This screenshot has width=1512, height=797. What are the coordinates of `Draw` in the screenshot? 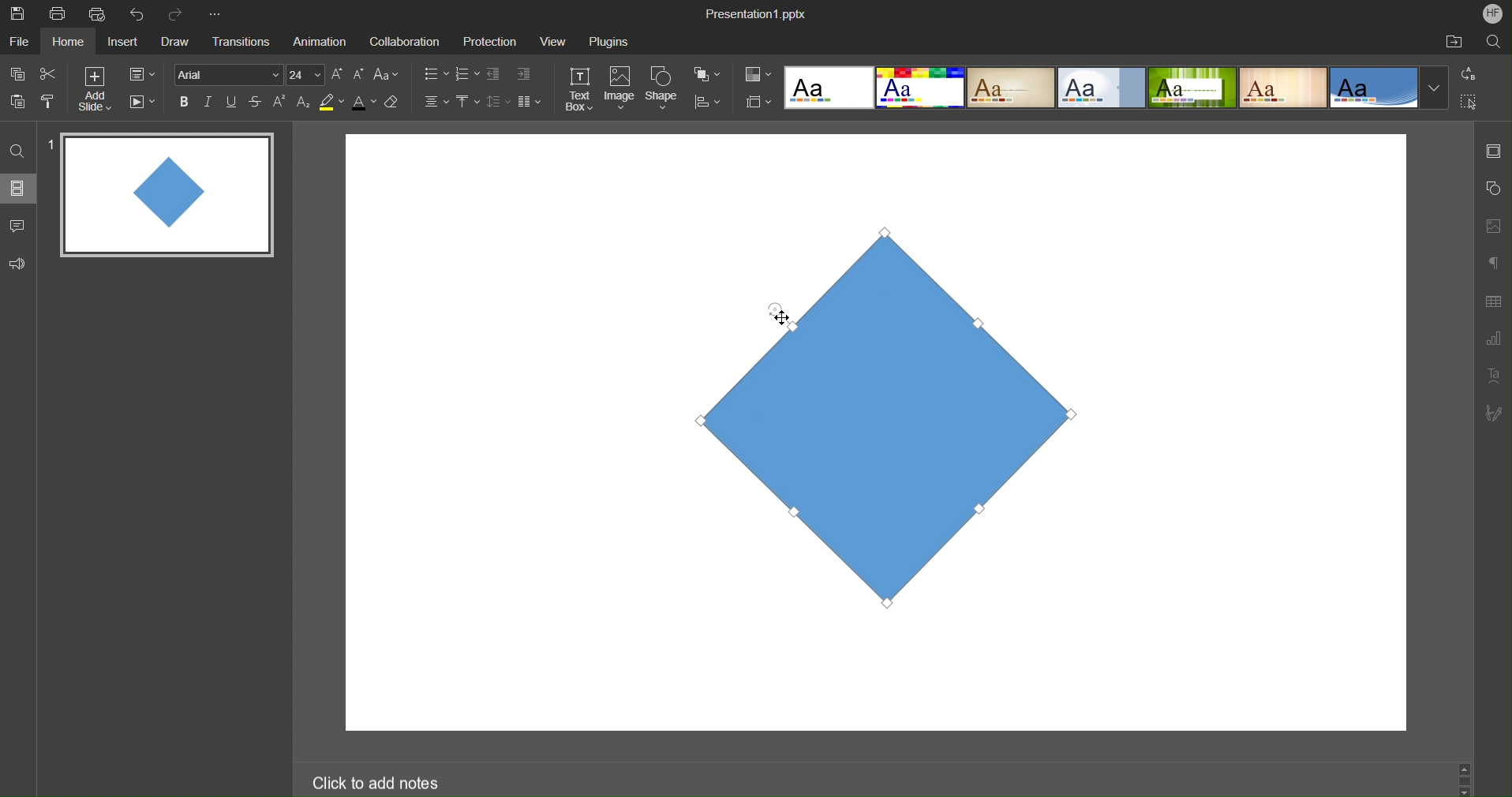 It's located at (174, 39).